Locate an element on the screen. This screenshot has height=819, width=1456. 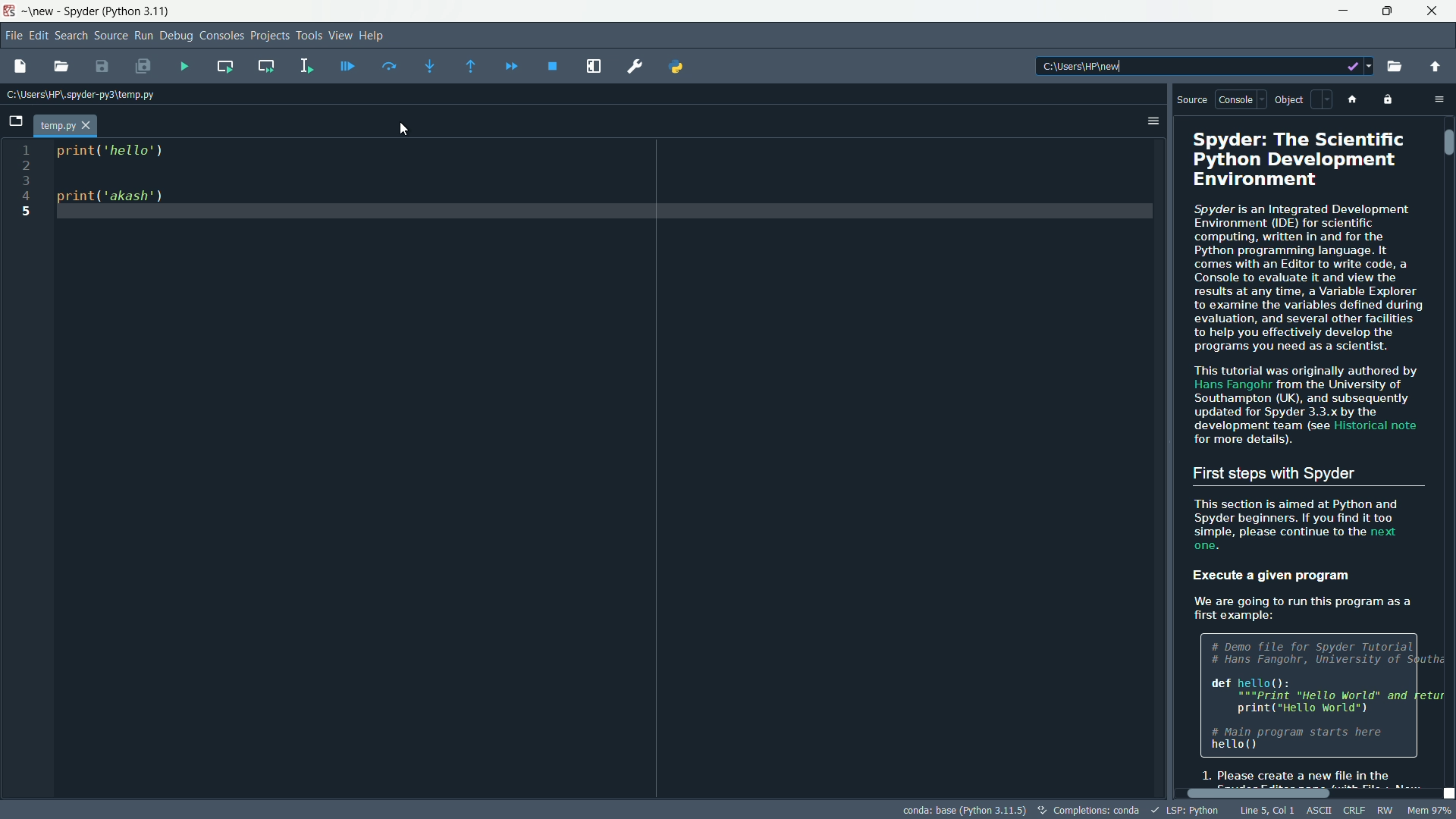
debug file is located at coordinates (346, 64).